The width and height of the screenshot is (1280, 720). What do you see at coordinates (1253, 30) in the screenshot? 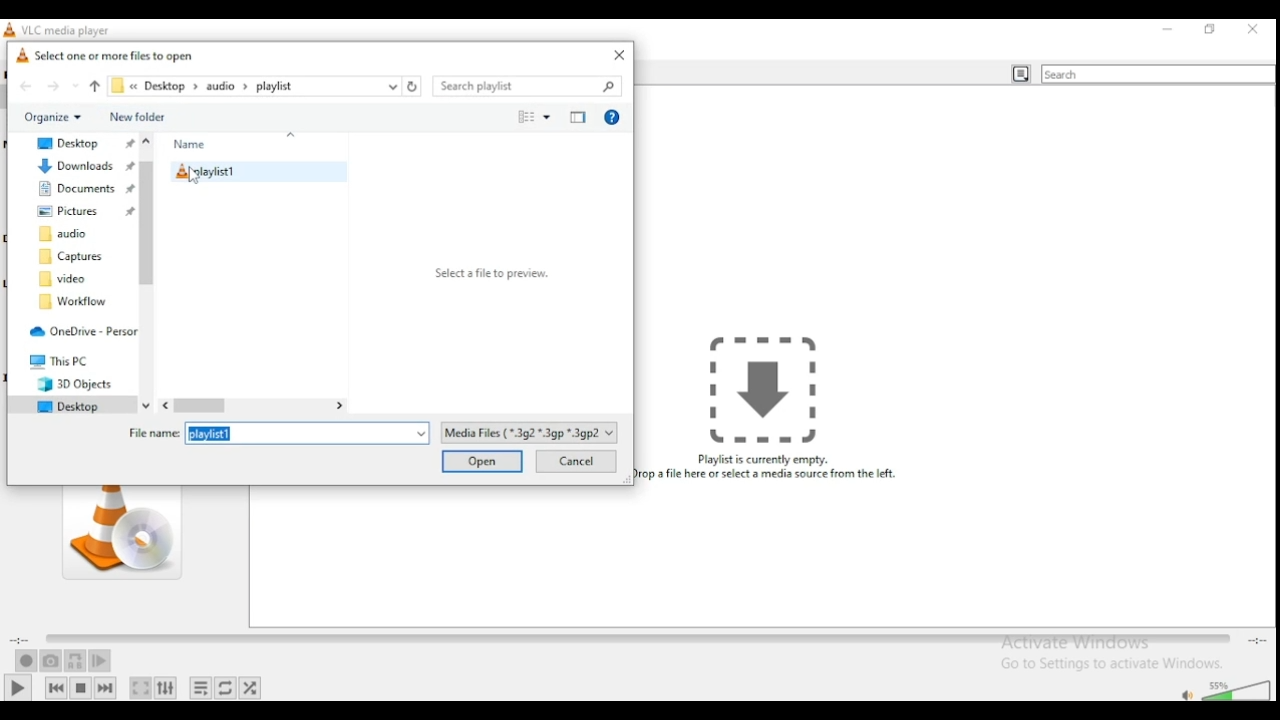
I see `close window` at bounding box center [1253, 30].